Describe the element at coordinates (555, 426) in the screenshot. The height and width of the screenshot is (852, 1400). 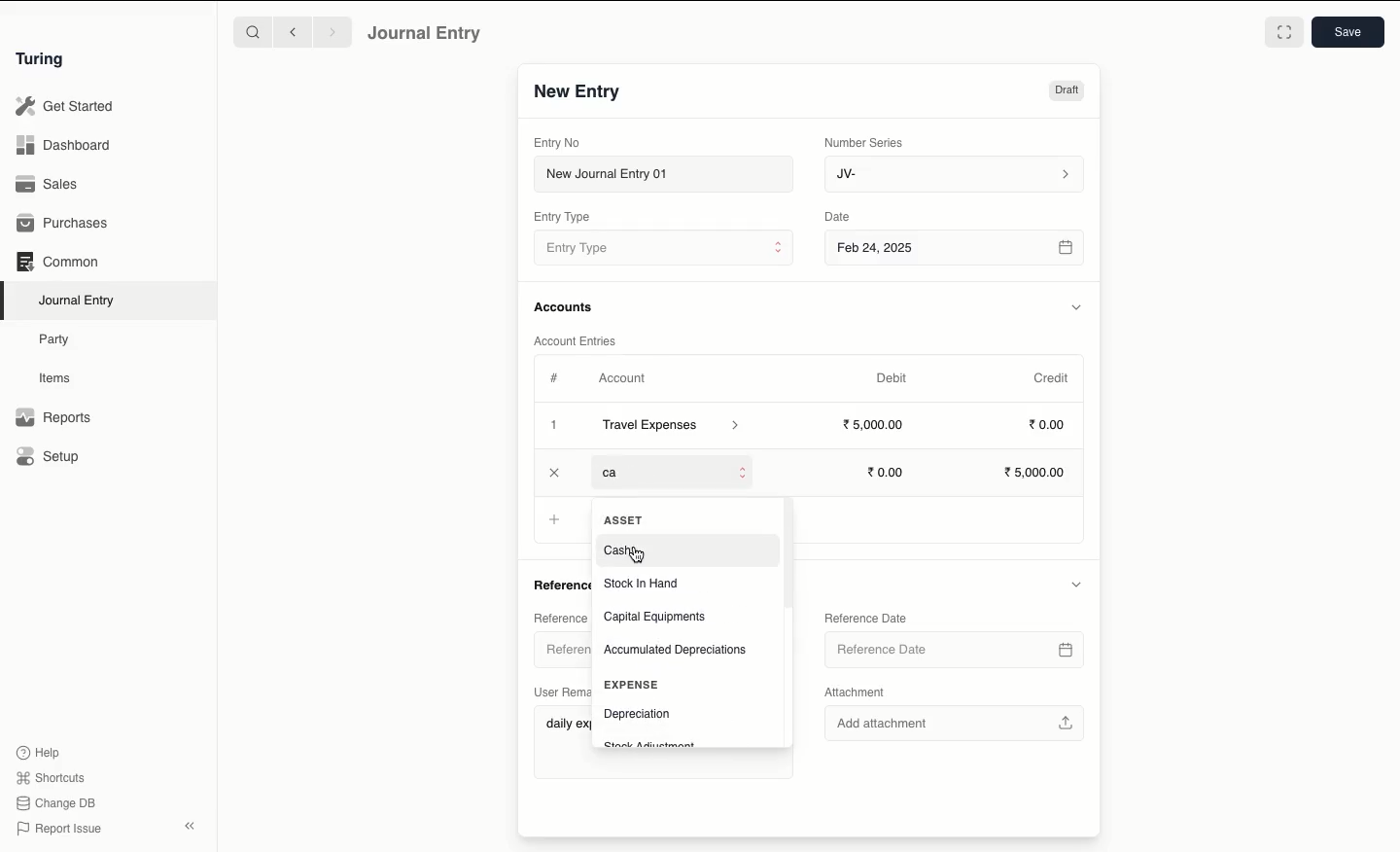
I see `Add` at that location.